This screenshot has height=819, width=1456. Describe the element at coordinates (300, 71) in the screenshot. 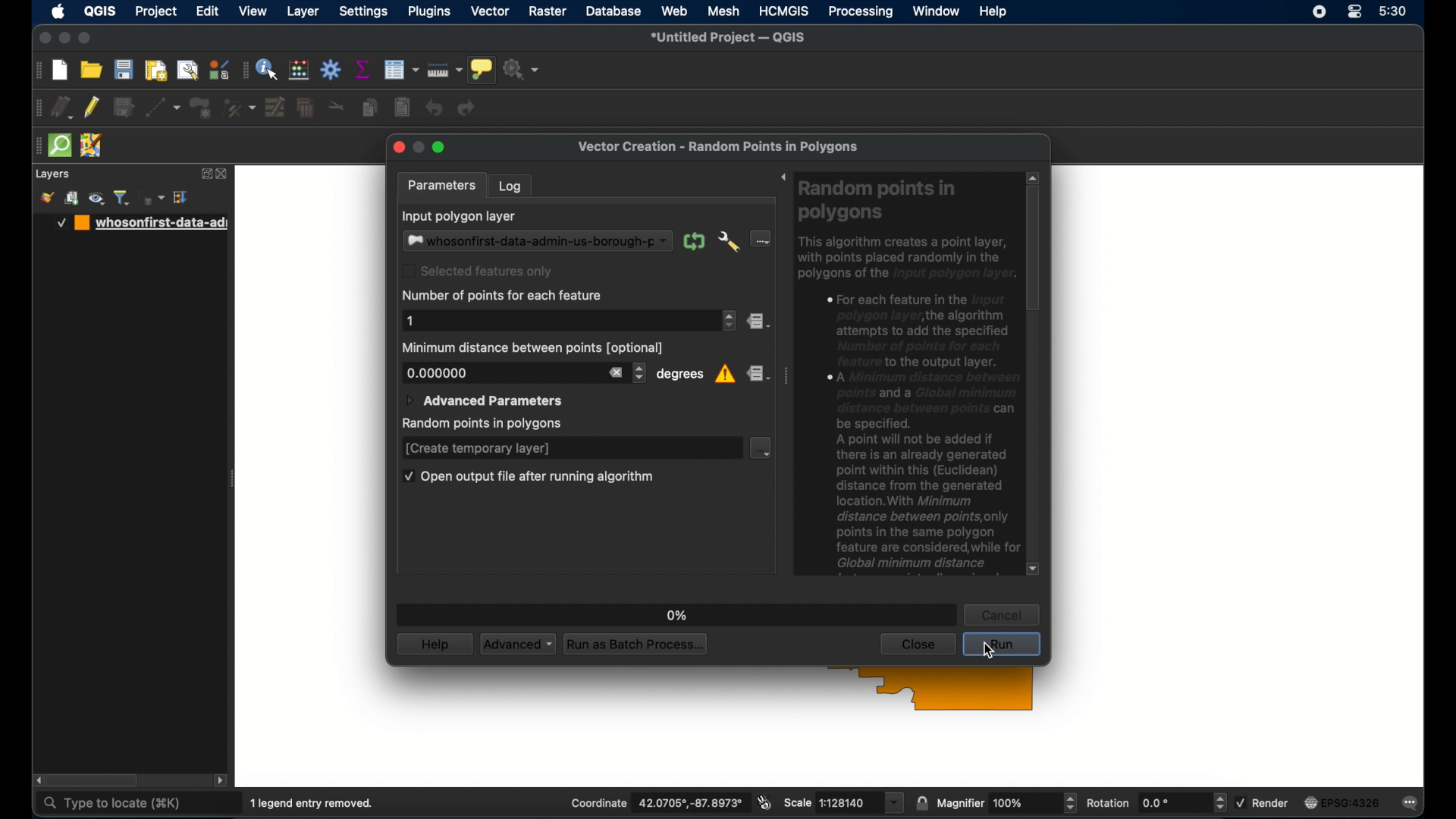

I see `open field  calculator` at that location.